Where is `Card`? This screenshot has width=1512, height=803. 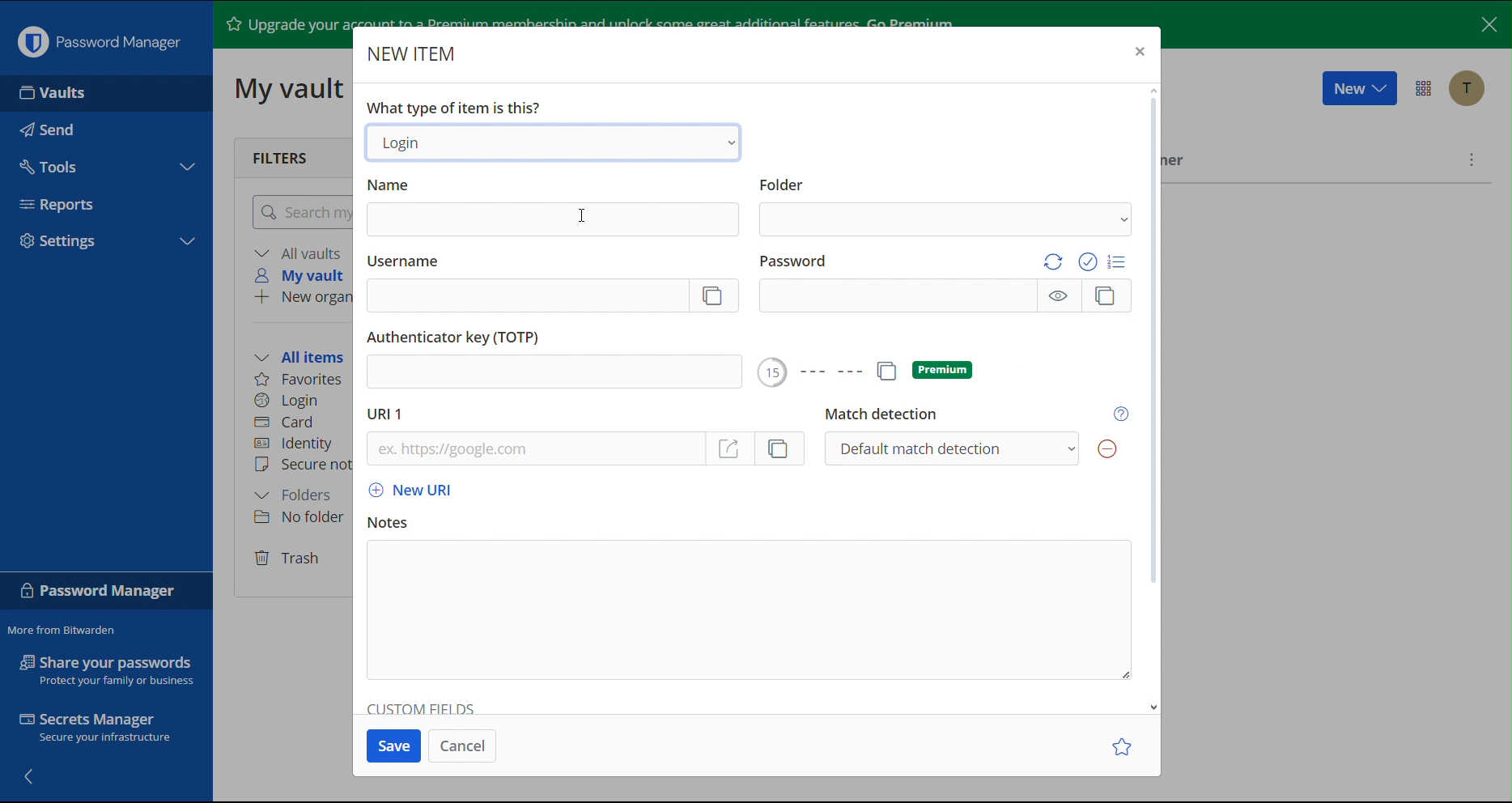
Card is located at coordinates (284, 422).